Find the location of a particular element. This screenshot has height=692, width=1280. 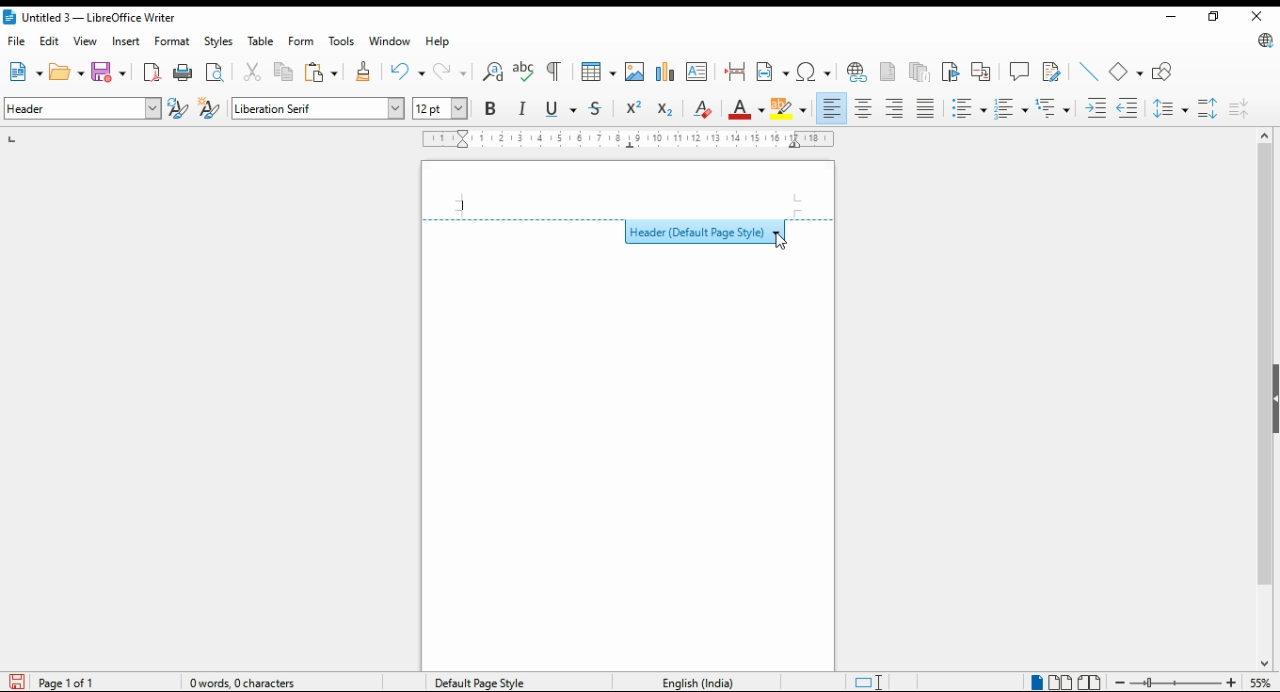

zoom factor is located at coordinates (1261, 682).